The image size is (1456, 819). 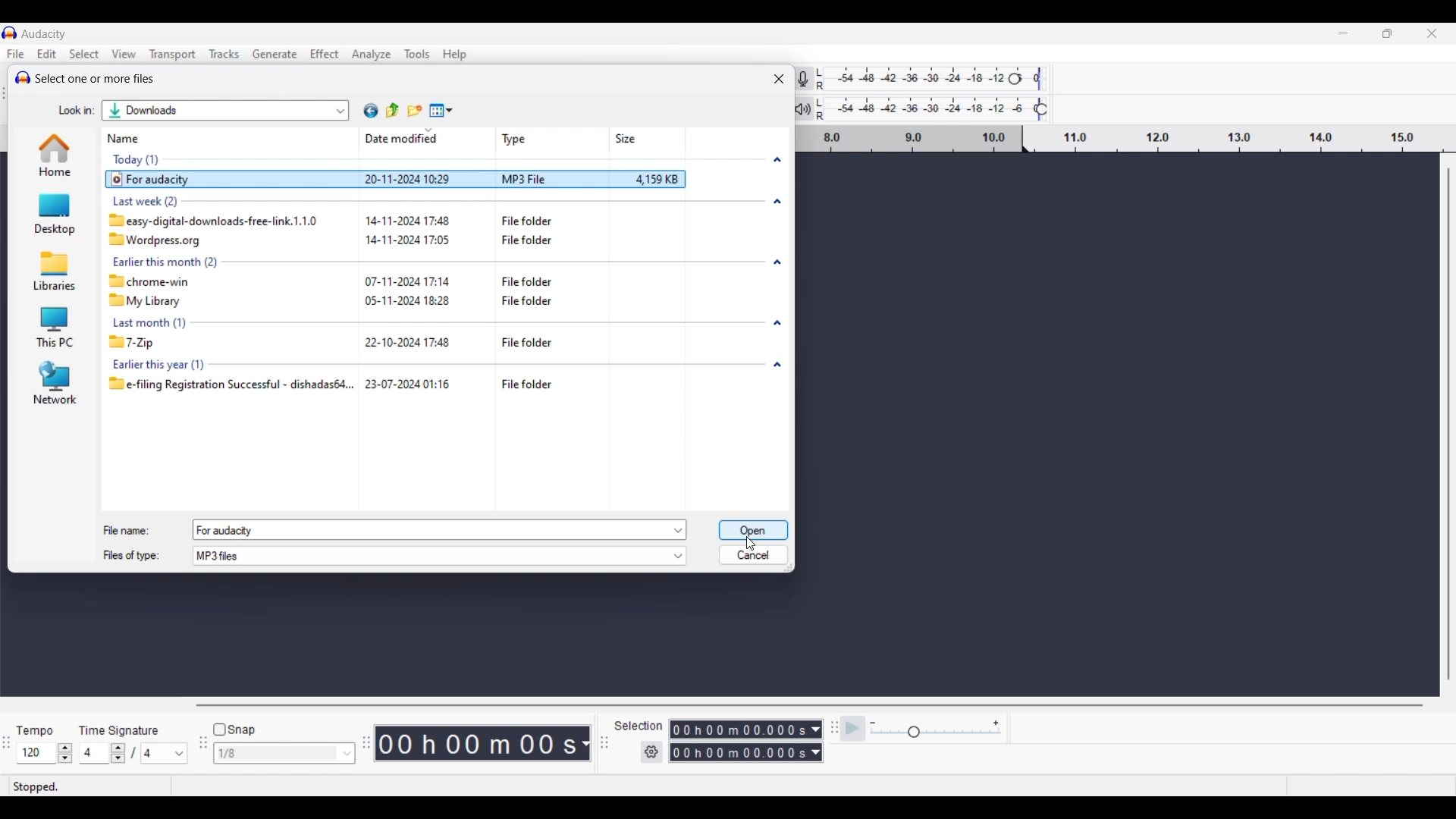 What do you see at coordinates (430, 557) in the screenshot?
I see `(MP3.files) Selected file format` at bounding box center [430, 557].